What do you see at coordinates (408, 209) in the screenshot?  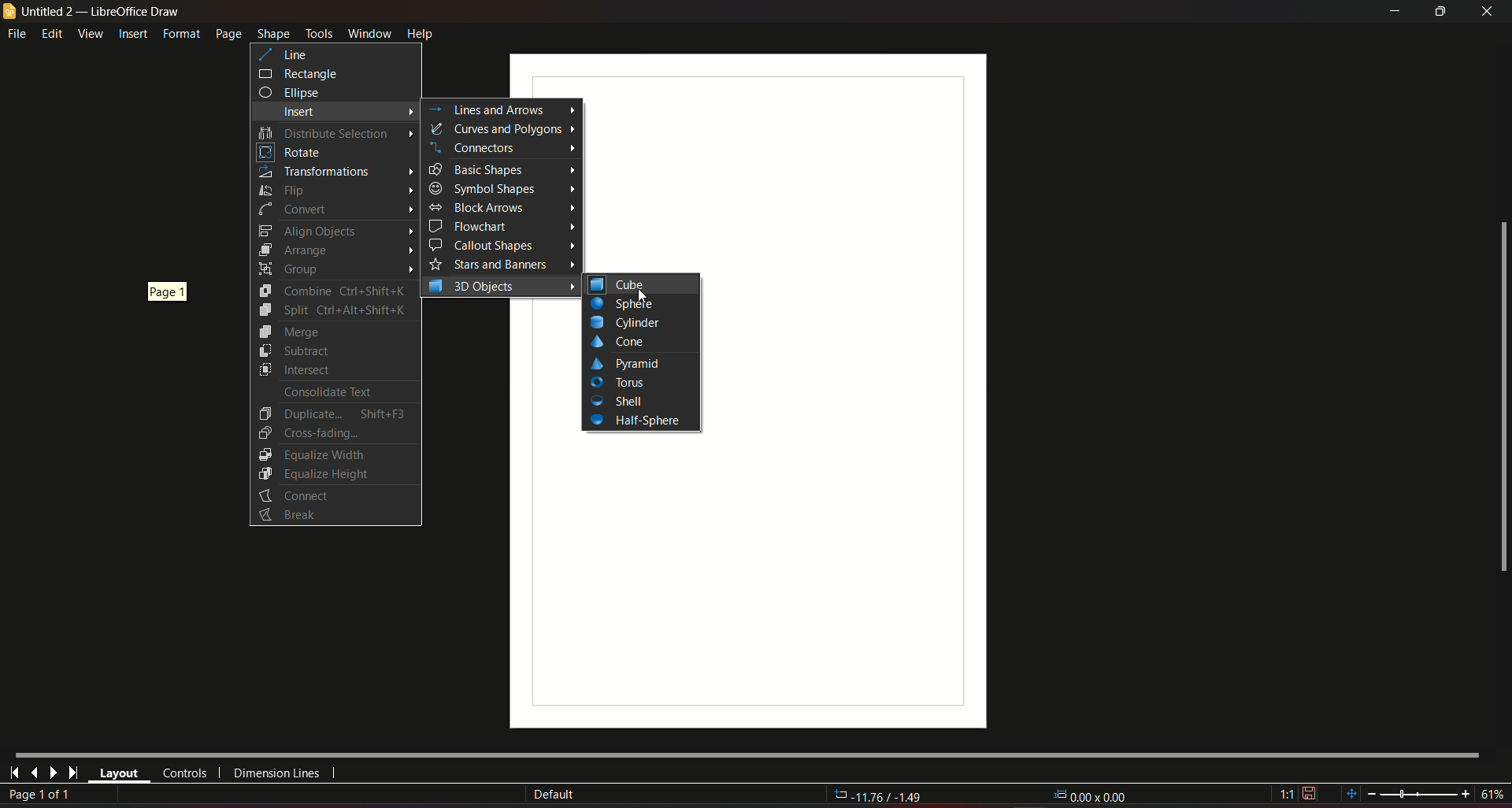 I see `Arrow` at bounding box center [408, 209].